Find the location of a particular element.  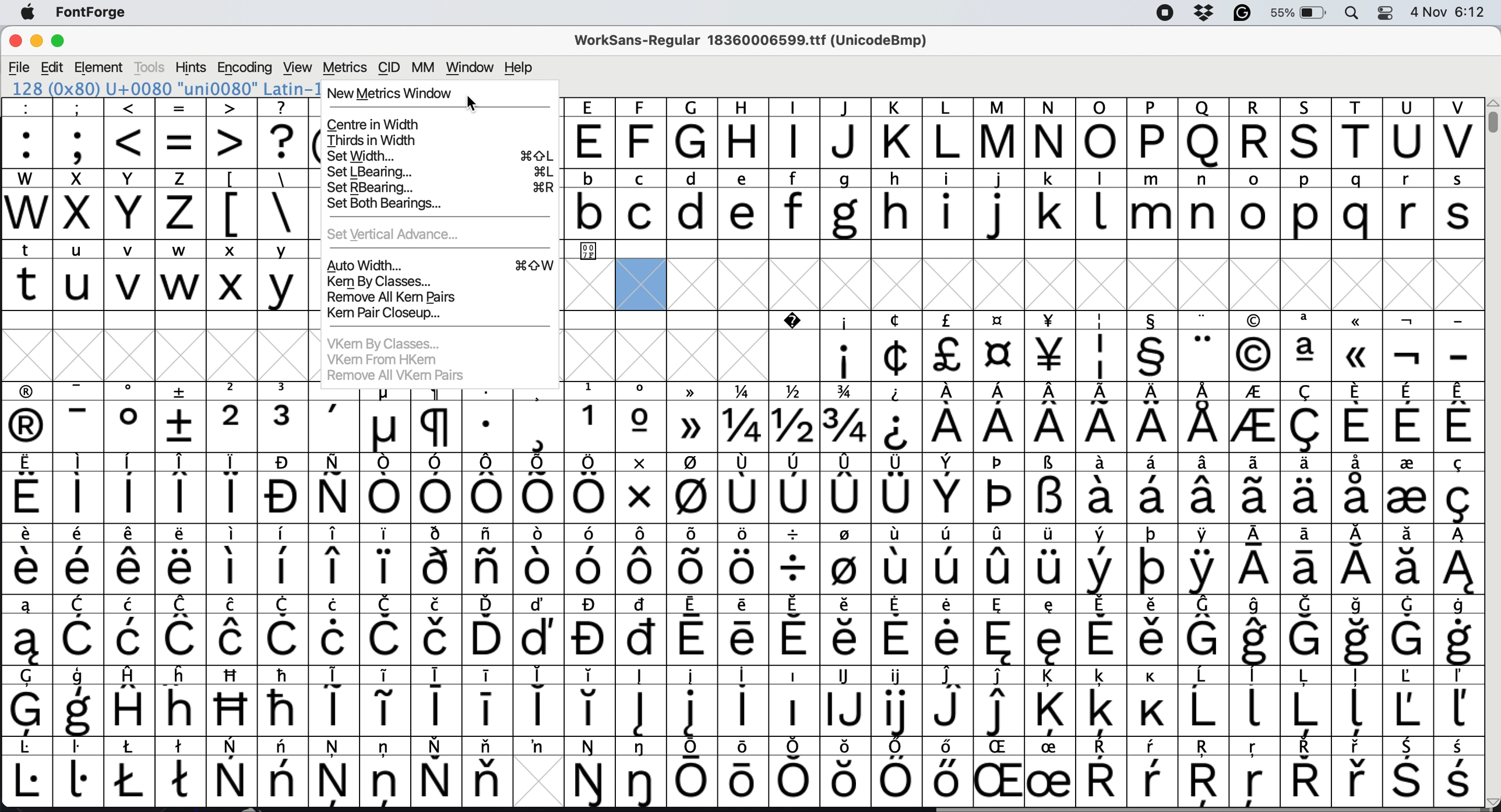

dropbox is located at coordinates (1208, 11).